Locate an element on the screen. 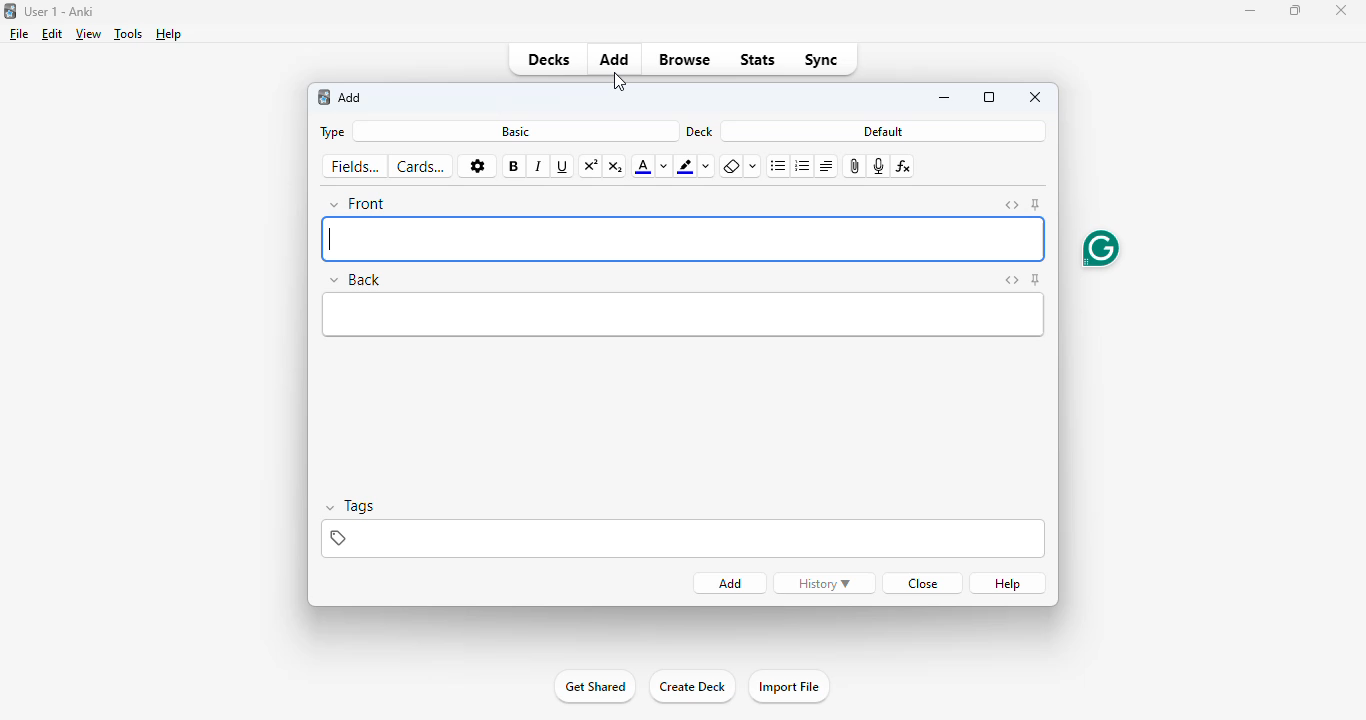  bold is located at coordinates (514, 166).